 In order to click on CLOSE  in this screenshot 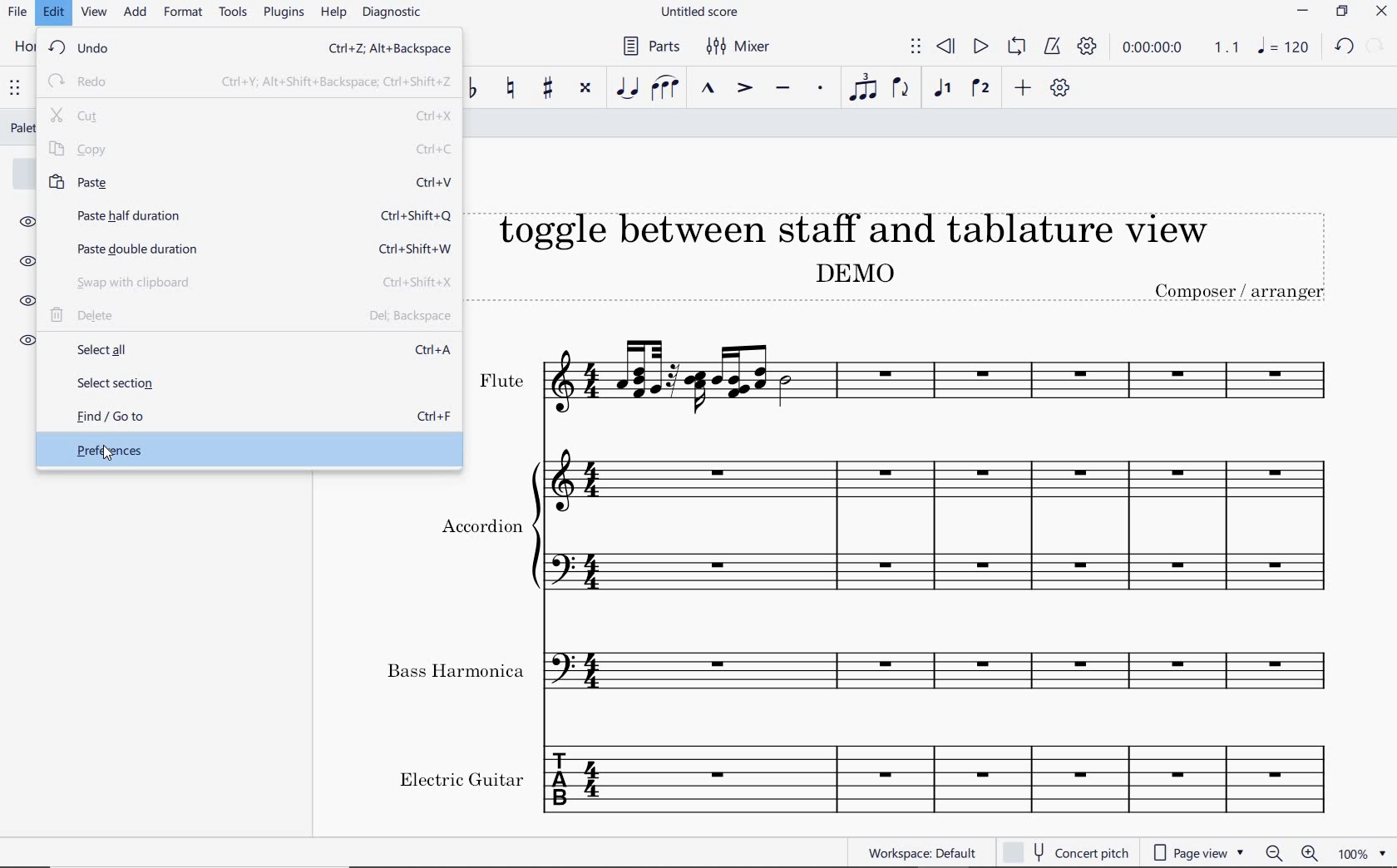, I will do `click(1383, 13)`.